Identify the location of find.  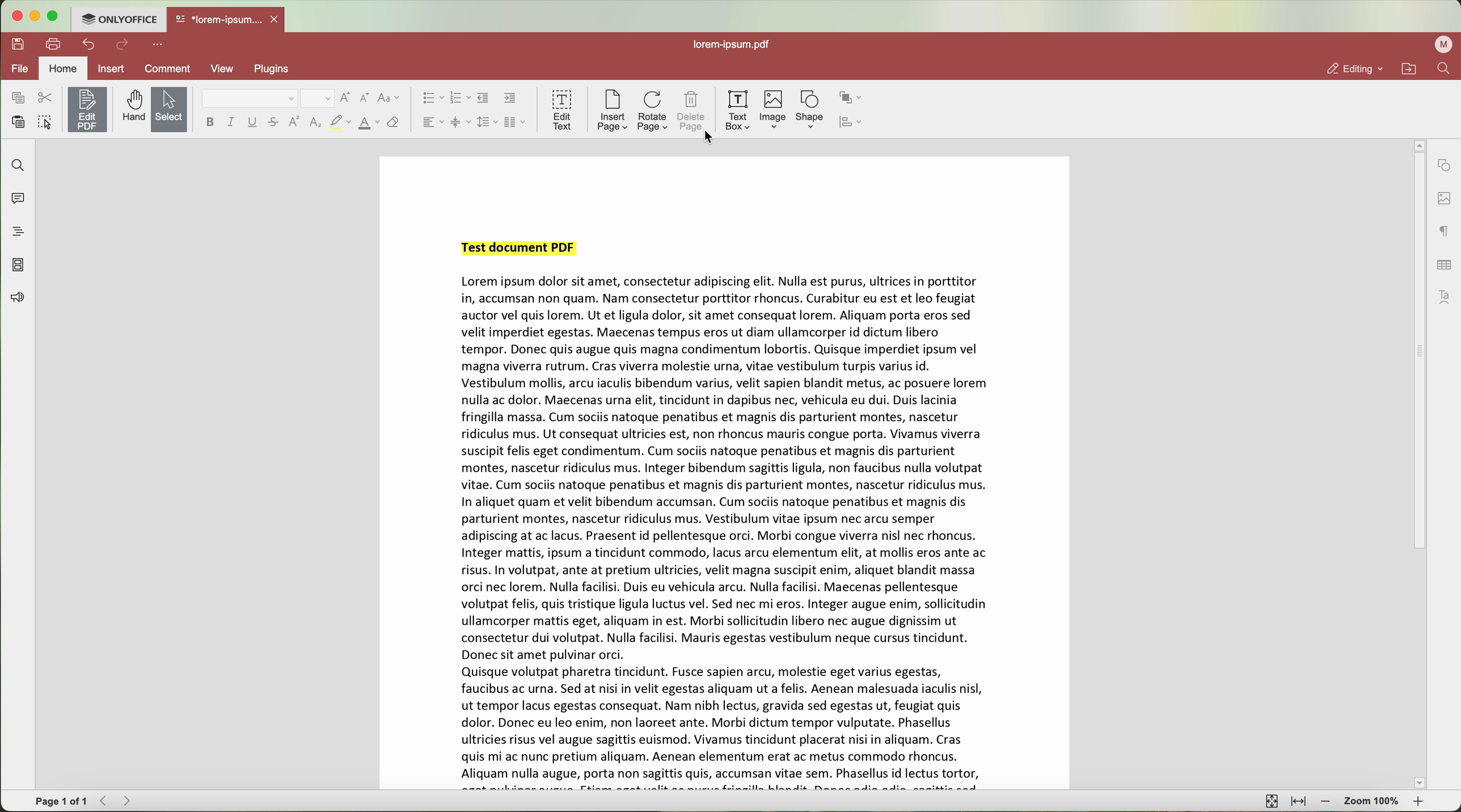
(16, 163).